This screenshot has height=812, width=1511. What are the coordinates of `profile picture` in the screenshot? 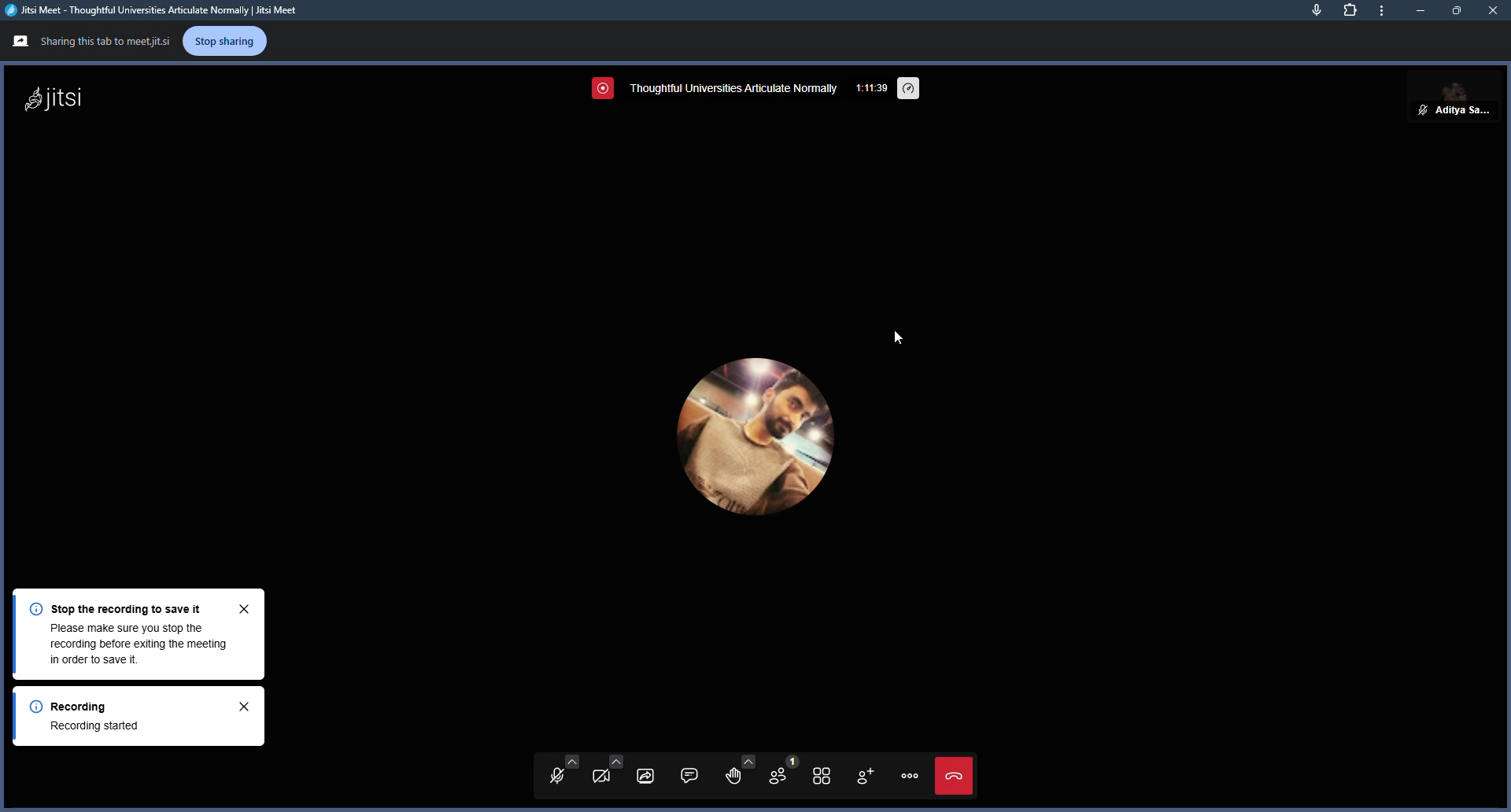 It's located at (747, 440).